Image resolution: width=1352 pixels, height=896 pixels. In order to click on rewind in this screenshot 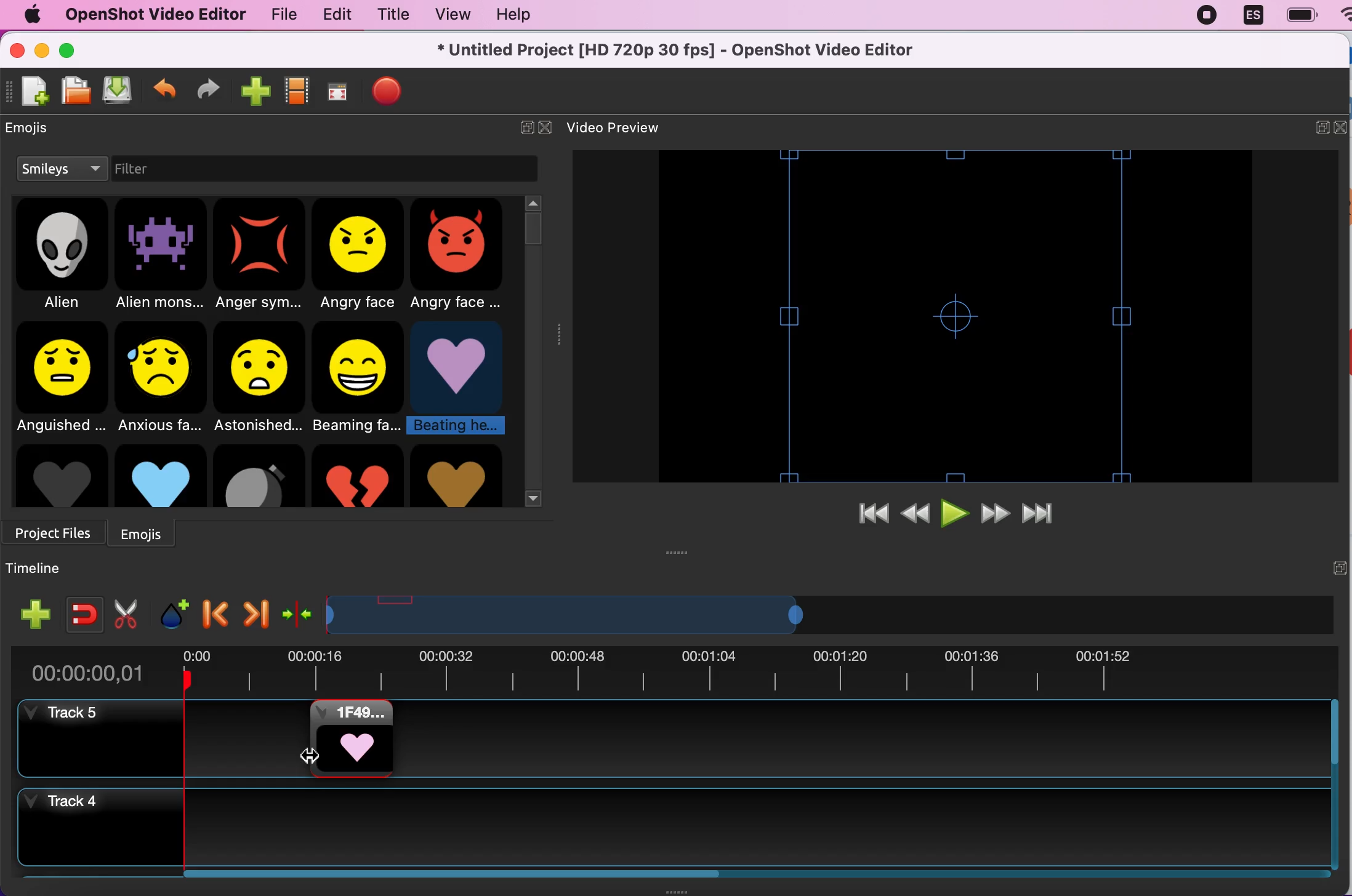, I will do `click(915, 514)`.